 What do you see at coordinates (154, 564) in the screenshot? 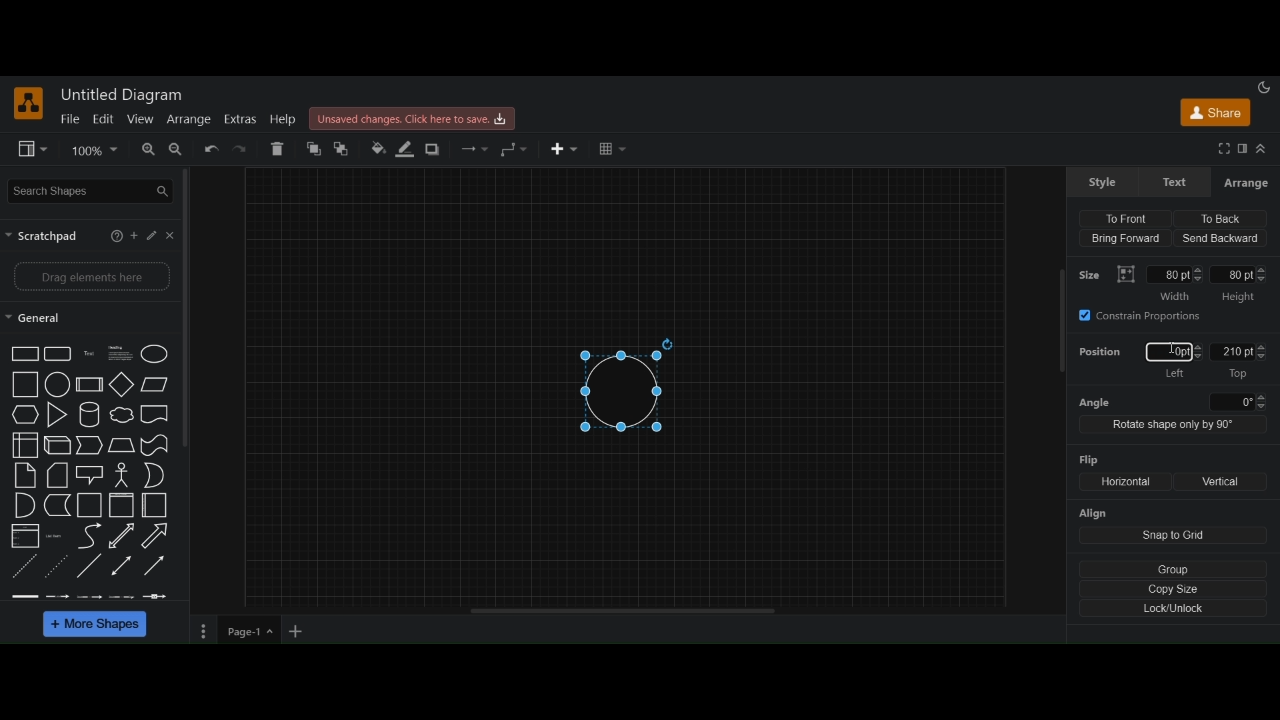
I see `1 side arrow` at bounding box center [154, 564].